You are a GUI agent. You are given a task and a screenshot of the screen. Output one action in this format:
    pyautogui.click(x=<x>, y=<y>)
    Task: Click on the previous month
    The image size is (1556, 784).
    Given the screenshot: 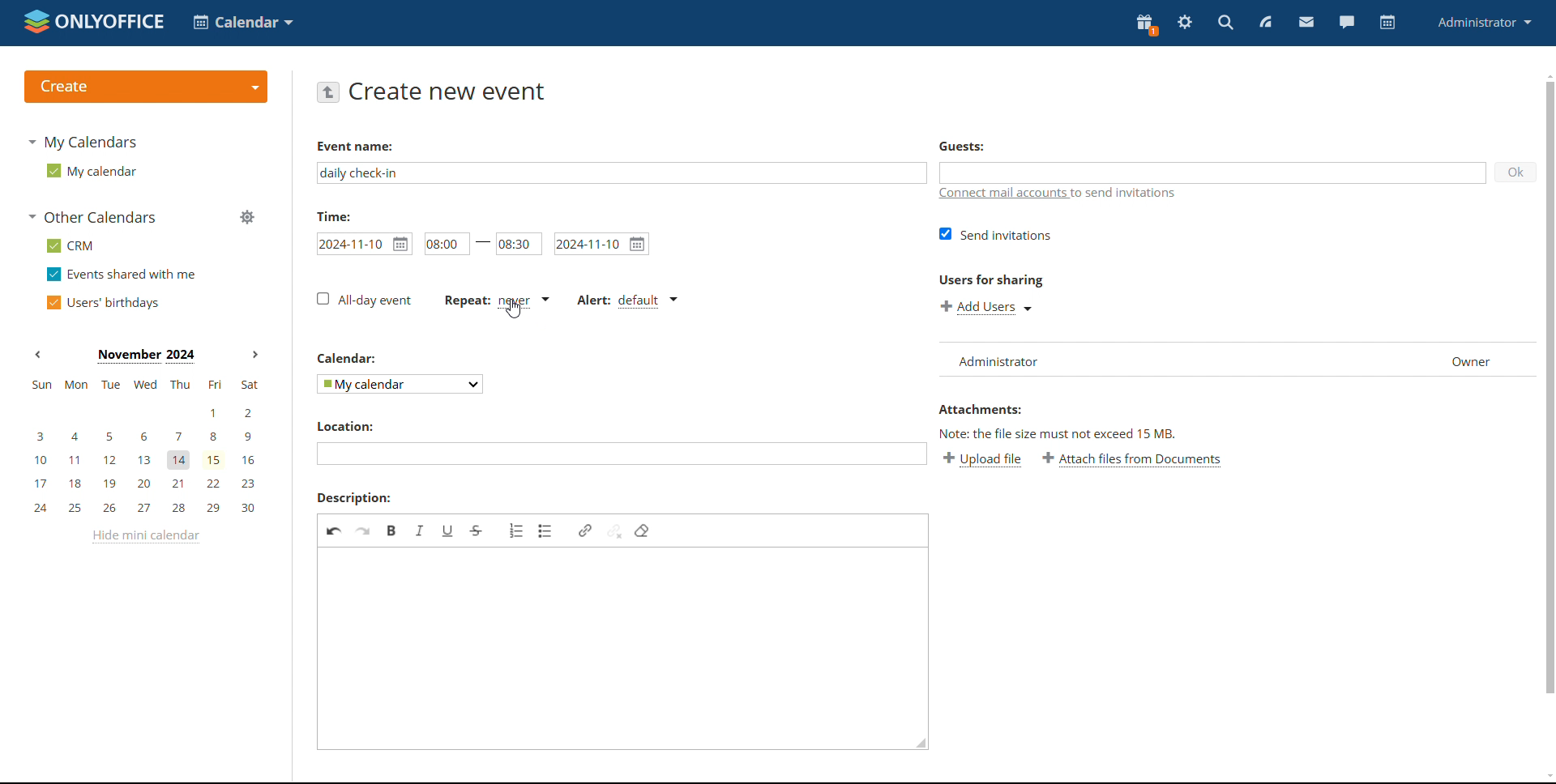 What is the action you would take?
    pyautogui.click(x=37, y=356)
    